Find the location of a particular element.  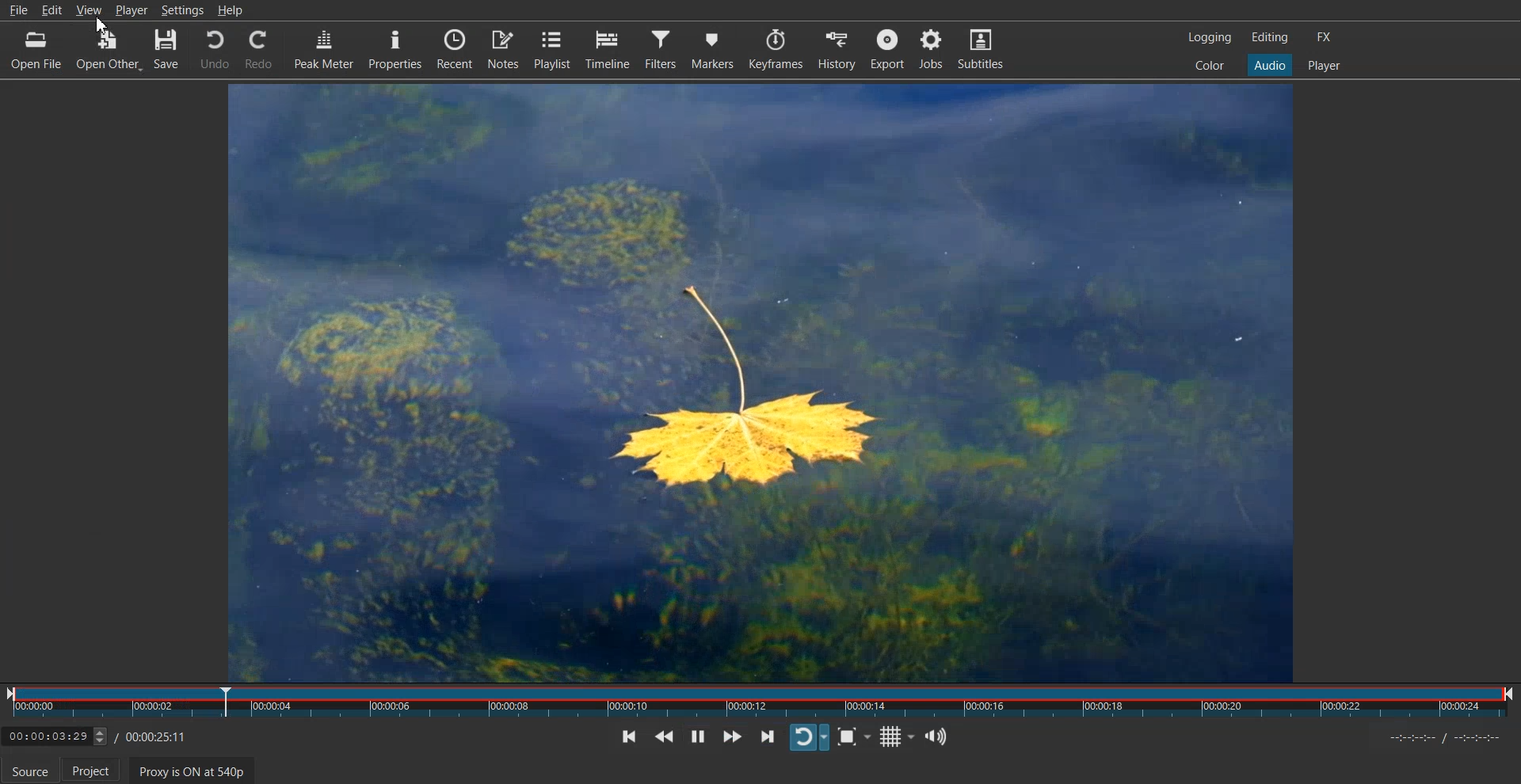

Skip to the next point is located at coordinates (768, 736).